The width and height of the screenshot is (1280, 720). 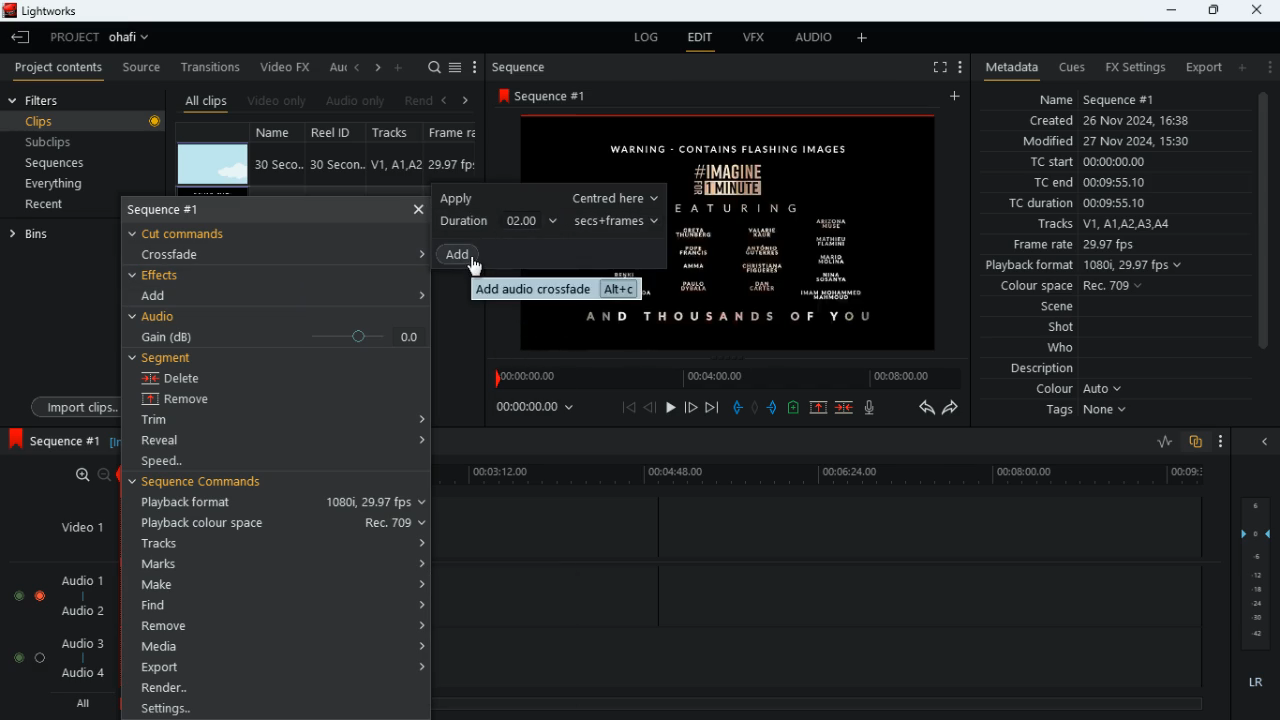 What do you see at coordinates (1268, 66) in the screenshot?
I see `more` at bounding box center [1268, 66].